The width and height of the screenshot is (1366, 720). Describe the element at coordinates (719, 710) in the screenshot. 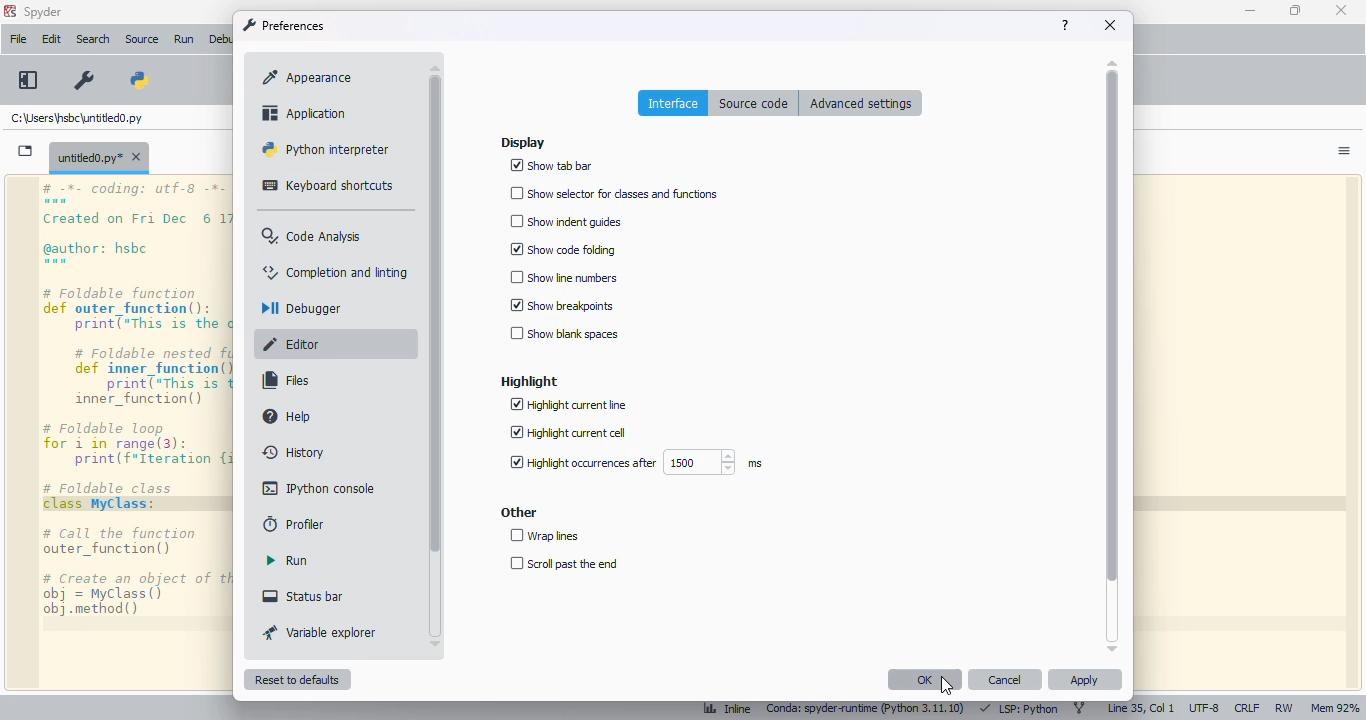

I see `inline` at that location.